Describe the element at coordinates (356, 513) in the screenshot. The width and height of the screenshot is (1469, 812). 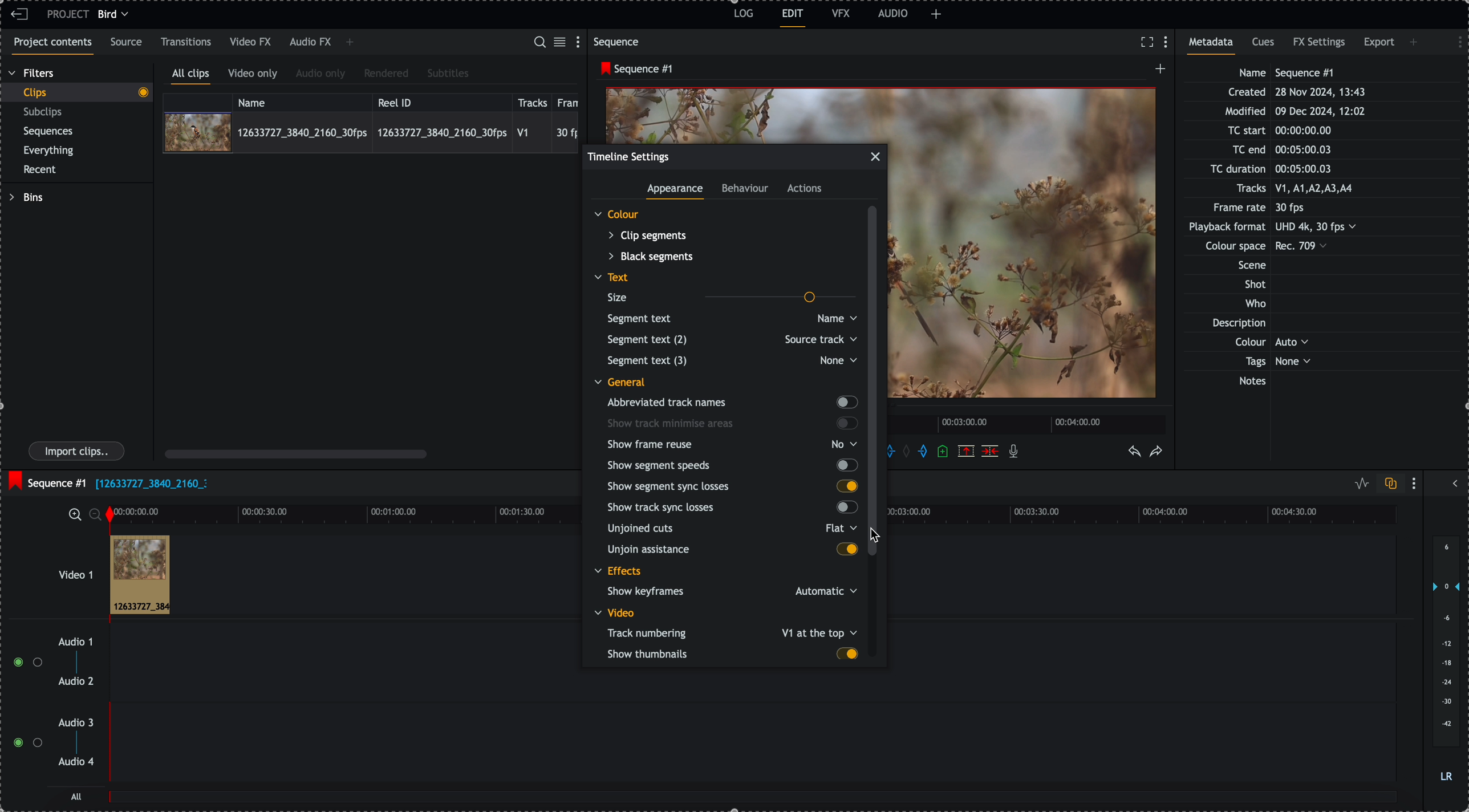
I see `timeline` at that location.